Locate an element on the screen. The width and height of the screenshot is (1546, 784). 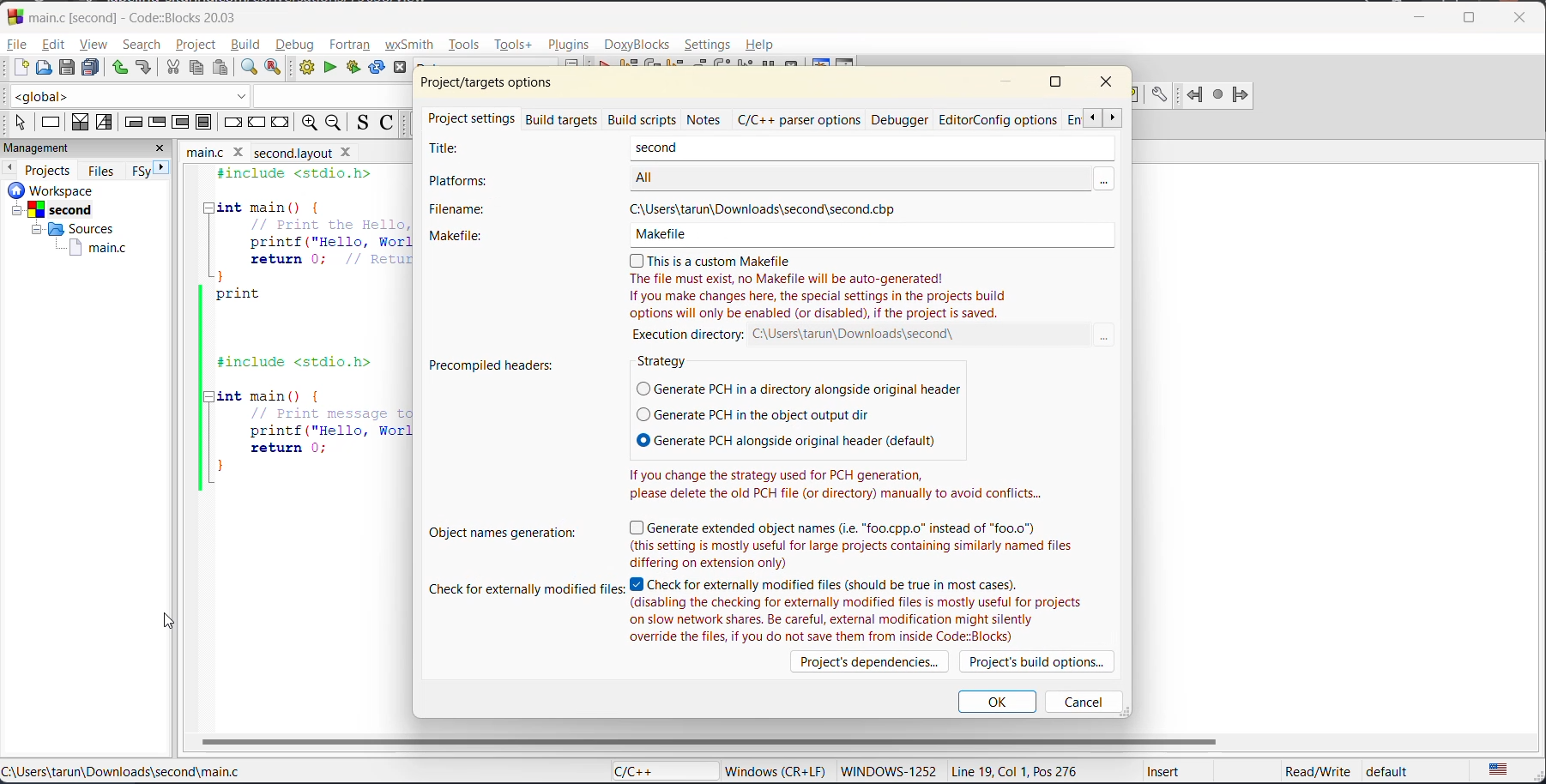
paste is located at coordinates (220, 68).